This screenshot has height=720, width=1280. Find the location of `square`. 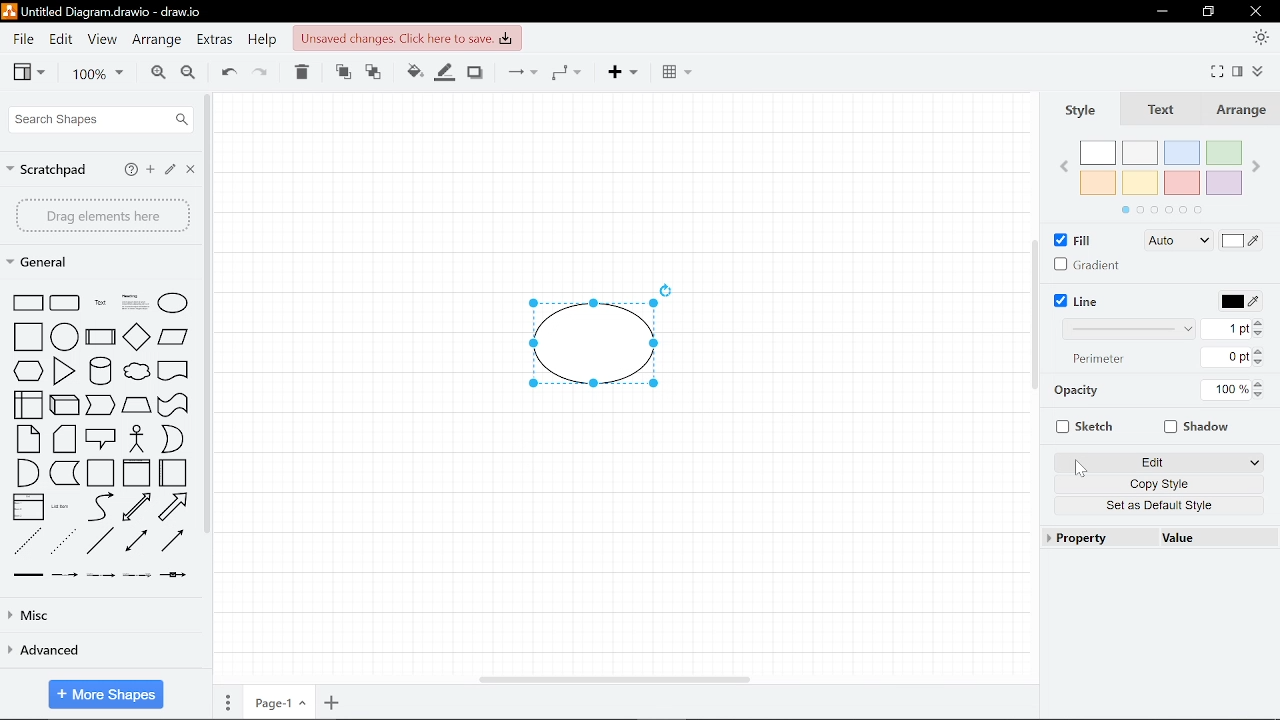

square is located at coordinates (28, 337).